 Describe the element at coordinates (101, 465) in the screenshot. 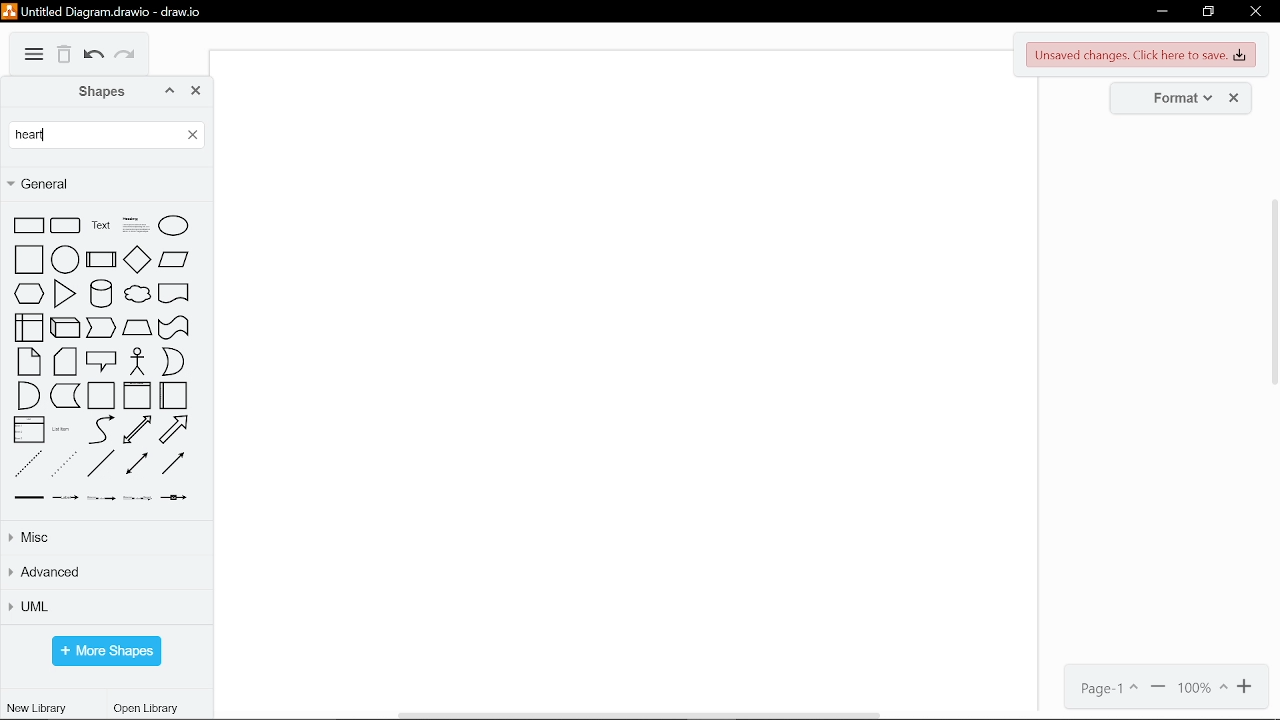

I see `line` at that location.